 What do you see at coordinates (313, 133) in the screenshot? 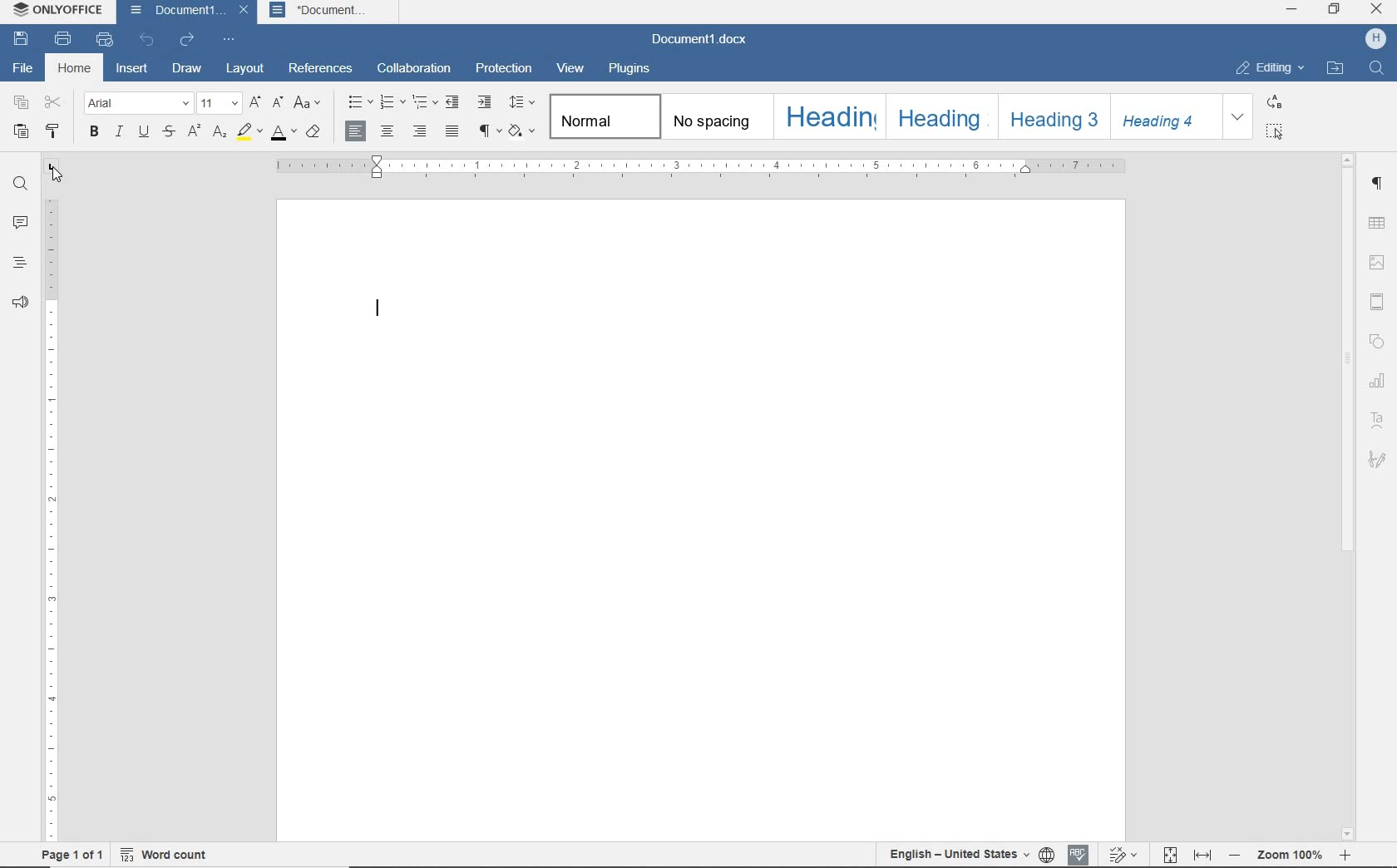
I see `CLEAR STYLE` at bounding box center [313, 133].